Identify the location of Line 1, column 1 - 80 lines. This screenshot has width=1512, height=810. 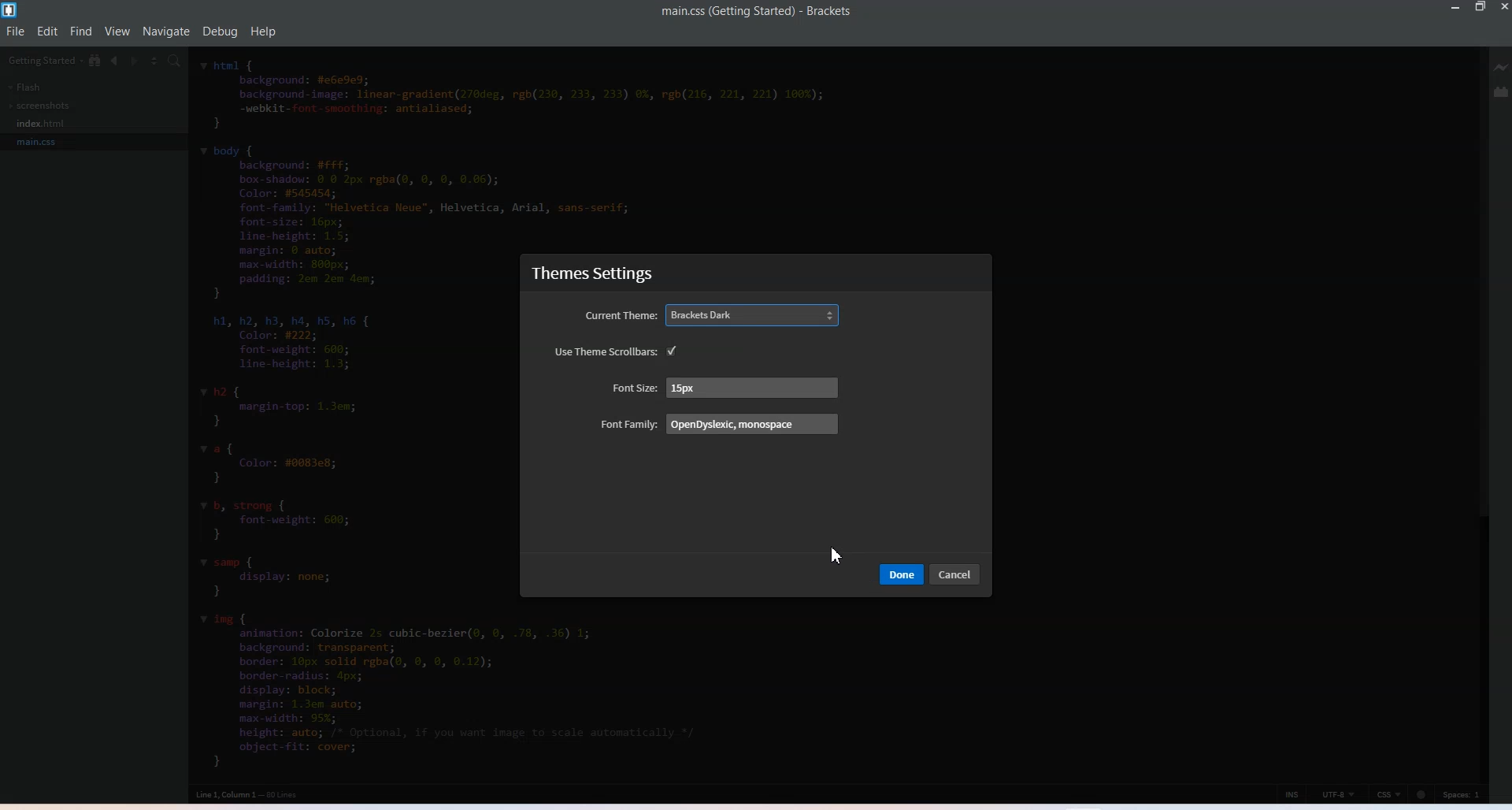
(247, 794).